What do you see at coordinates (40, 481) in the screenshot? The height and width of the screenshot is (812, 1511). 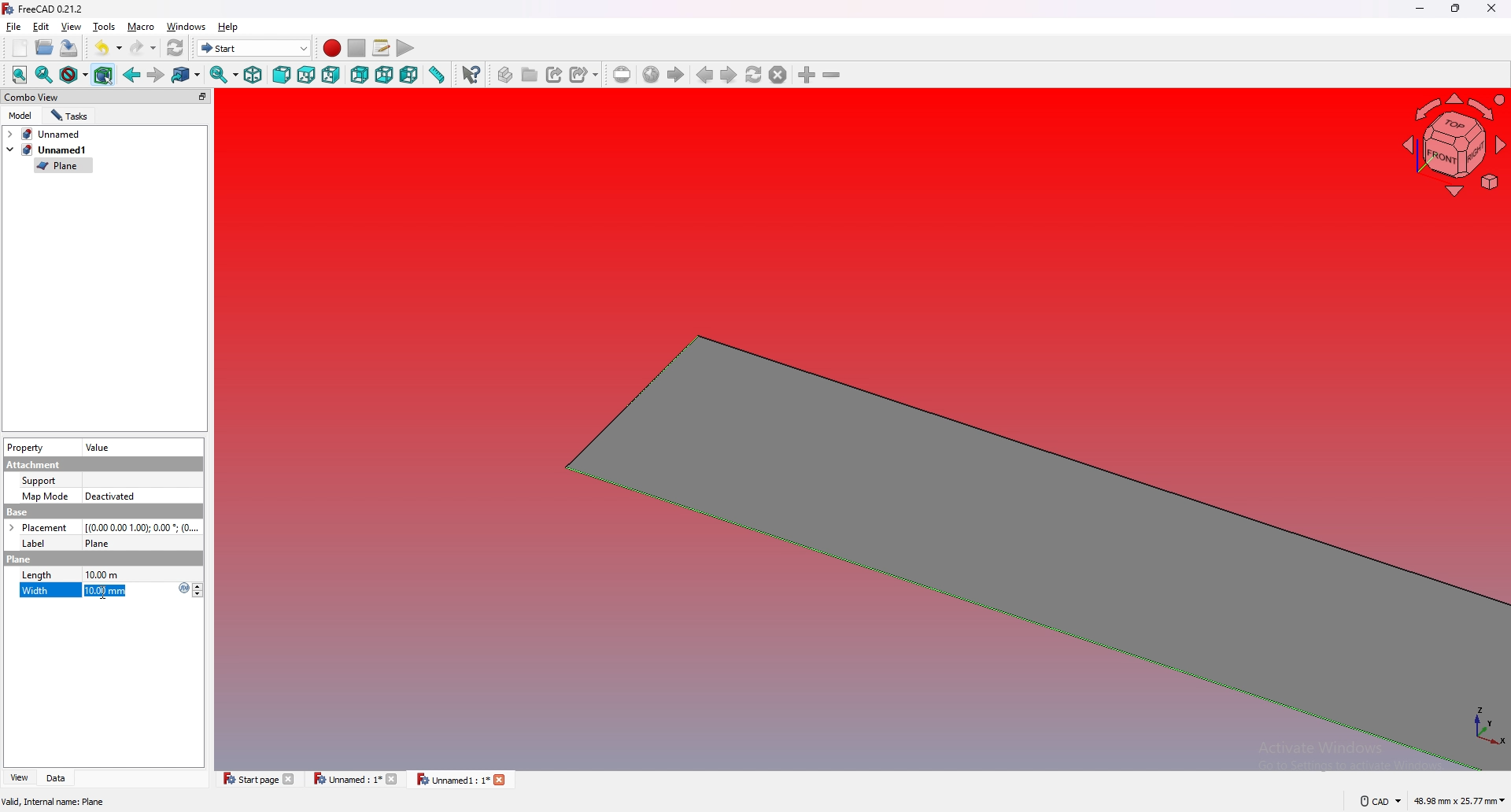 I see `Support` at bounding box center [40, 481].